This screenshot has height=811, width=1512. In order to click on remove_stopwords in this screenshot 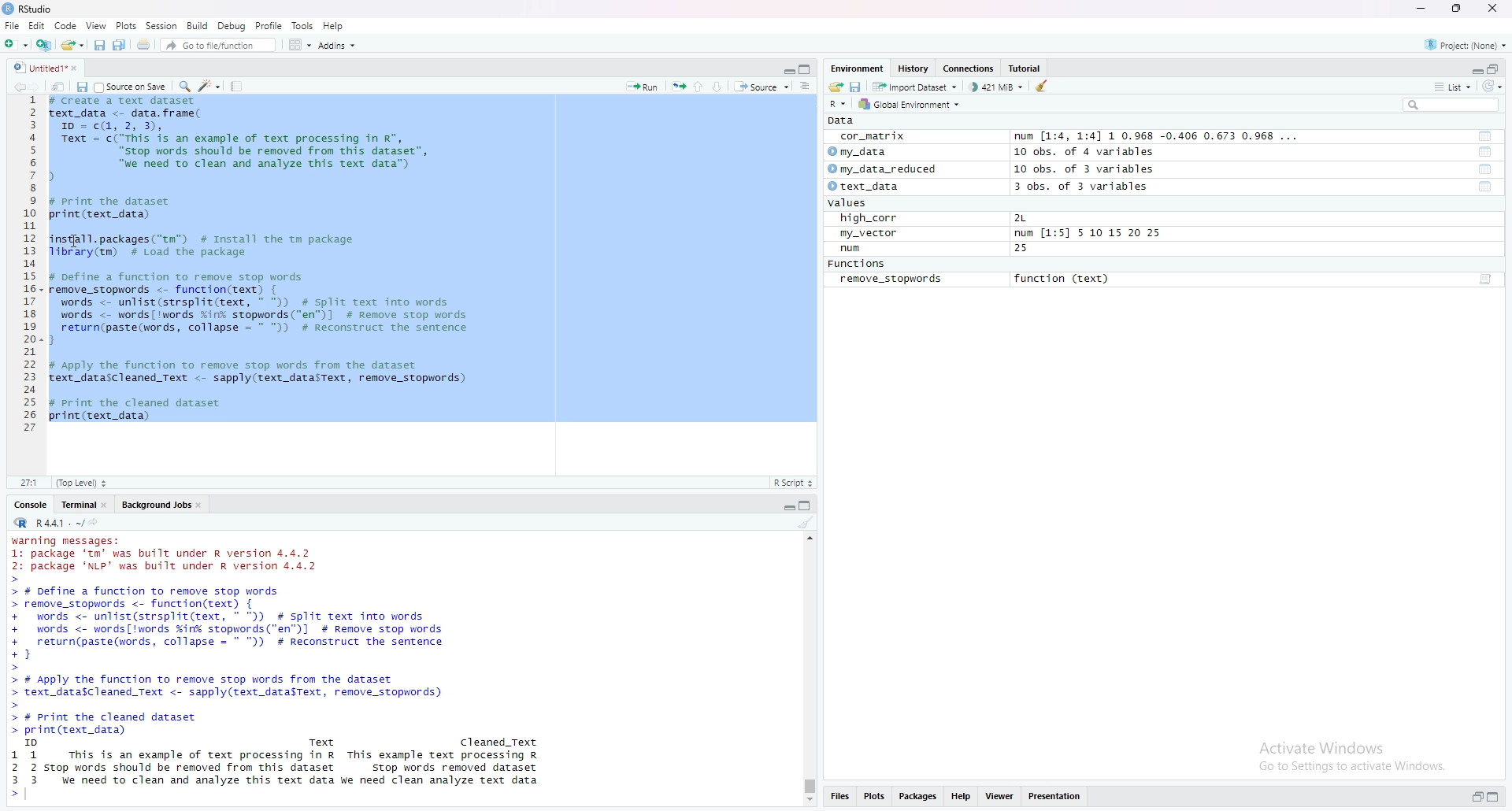, I will do `click(890, 280)`.